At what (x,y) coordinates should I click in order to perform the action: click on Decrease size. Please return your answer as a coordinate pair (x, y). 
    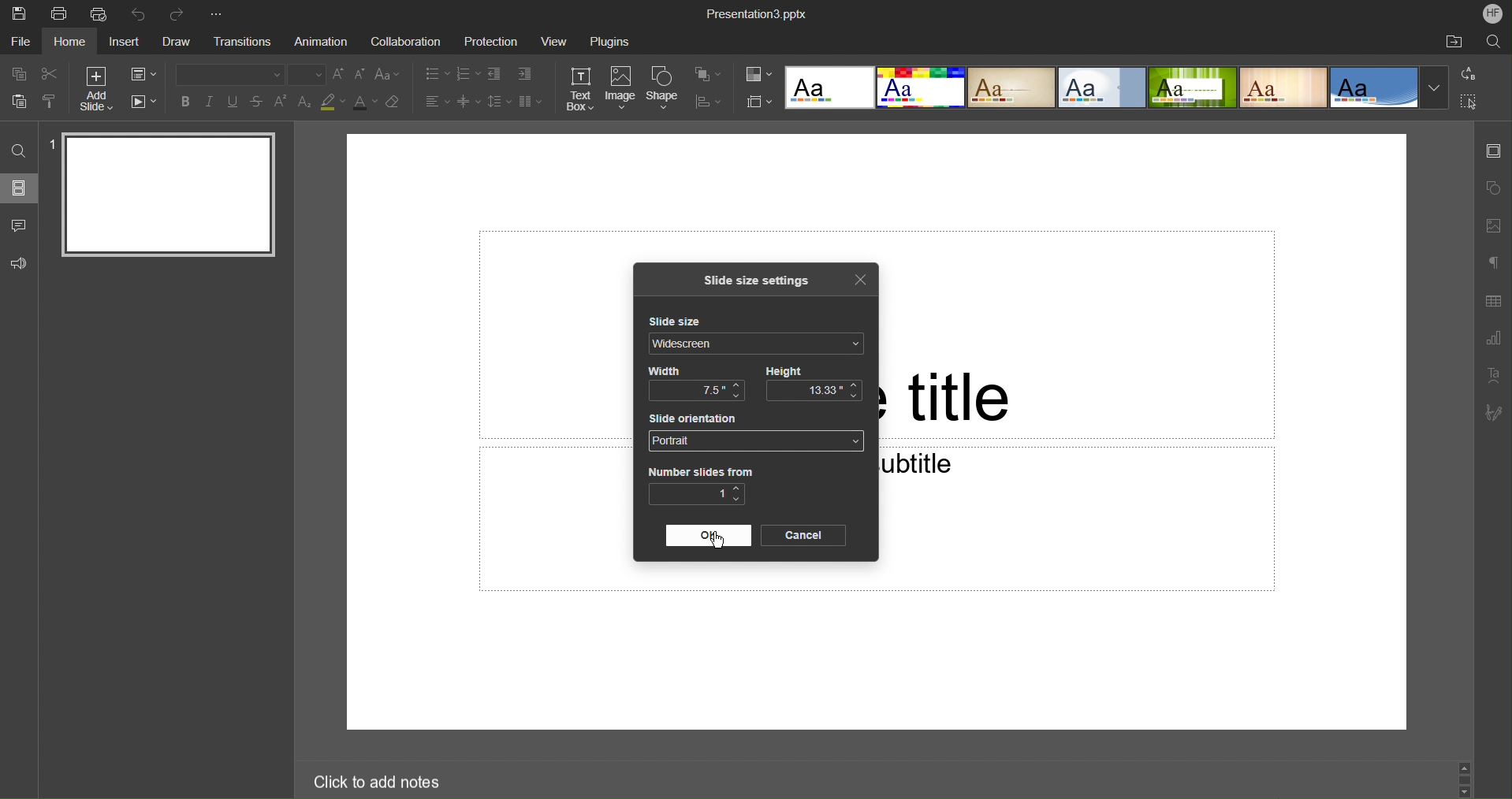
    Looking at the image, I should click on (361, 76).